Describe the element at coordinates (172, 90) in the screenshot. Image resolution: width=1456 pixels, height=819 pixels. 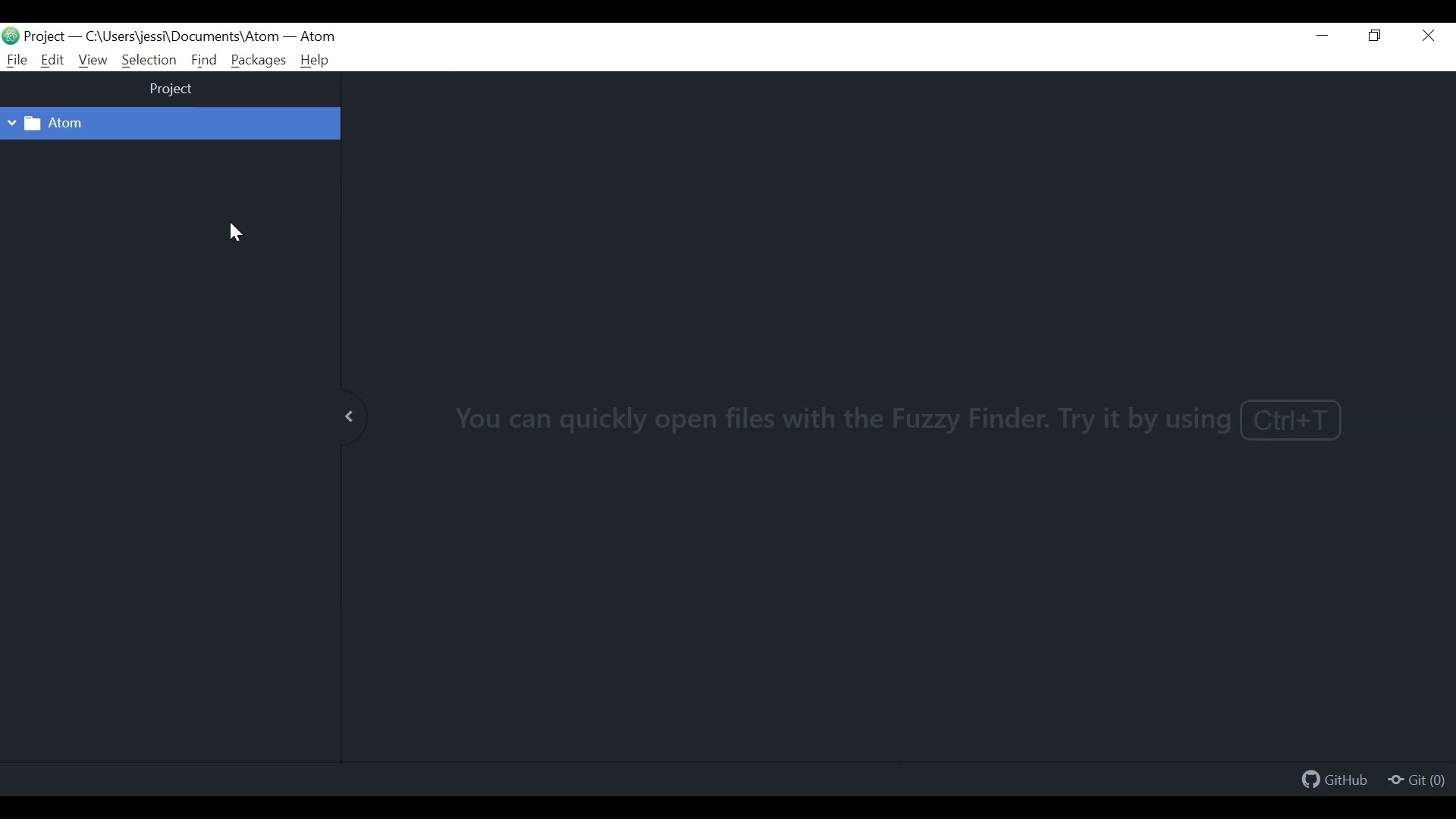
I see `project` at that location.